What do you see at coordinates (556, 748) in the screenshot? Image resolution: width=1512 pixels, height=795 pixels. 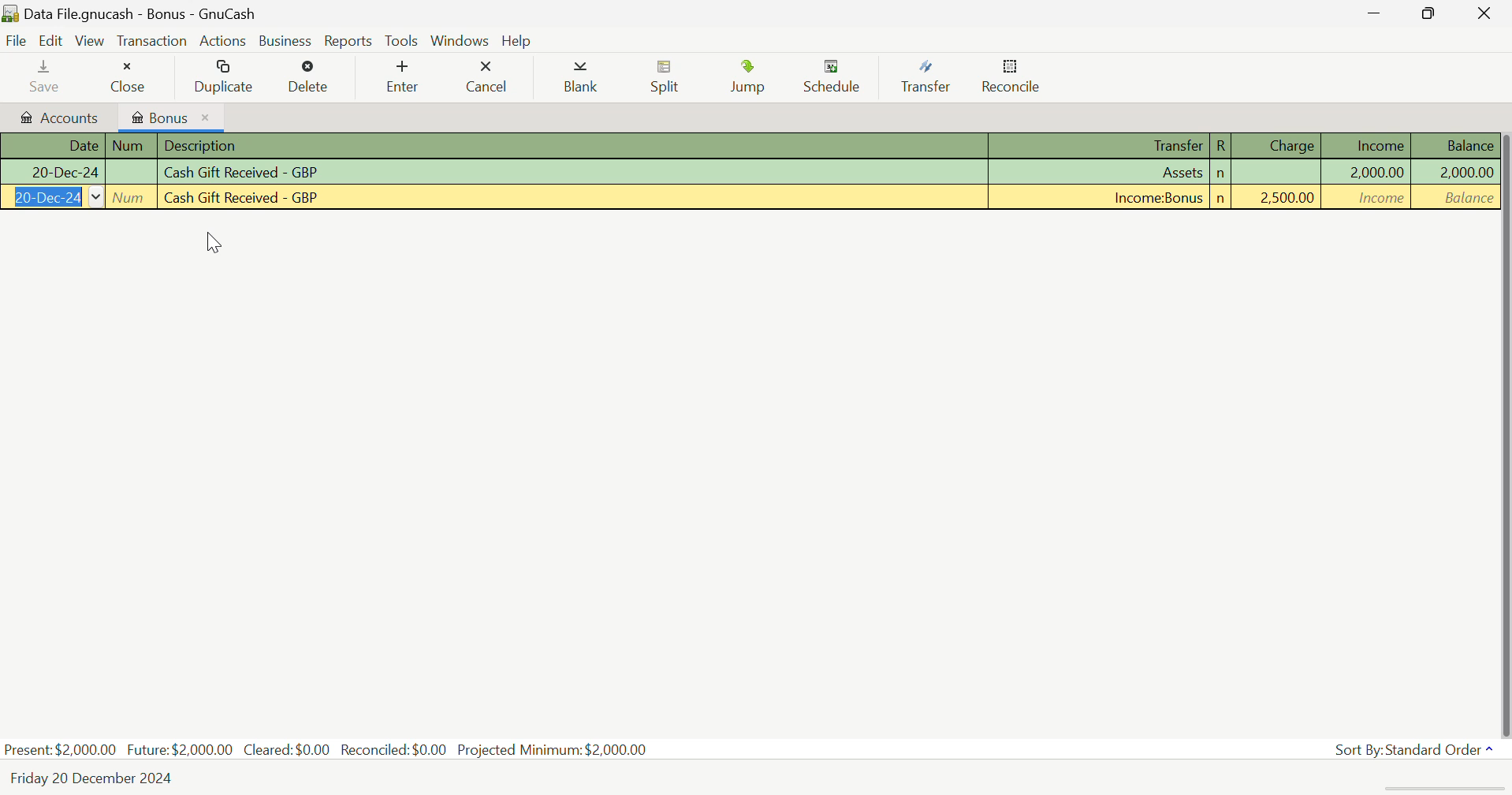 I see `Projected Minimum` at bounding box center [556, 748].